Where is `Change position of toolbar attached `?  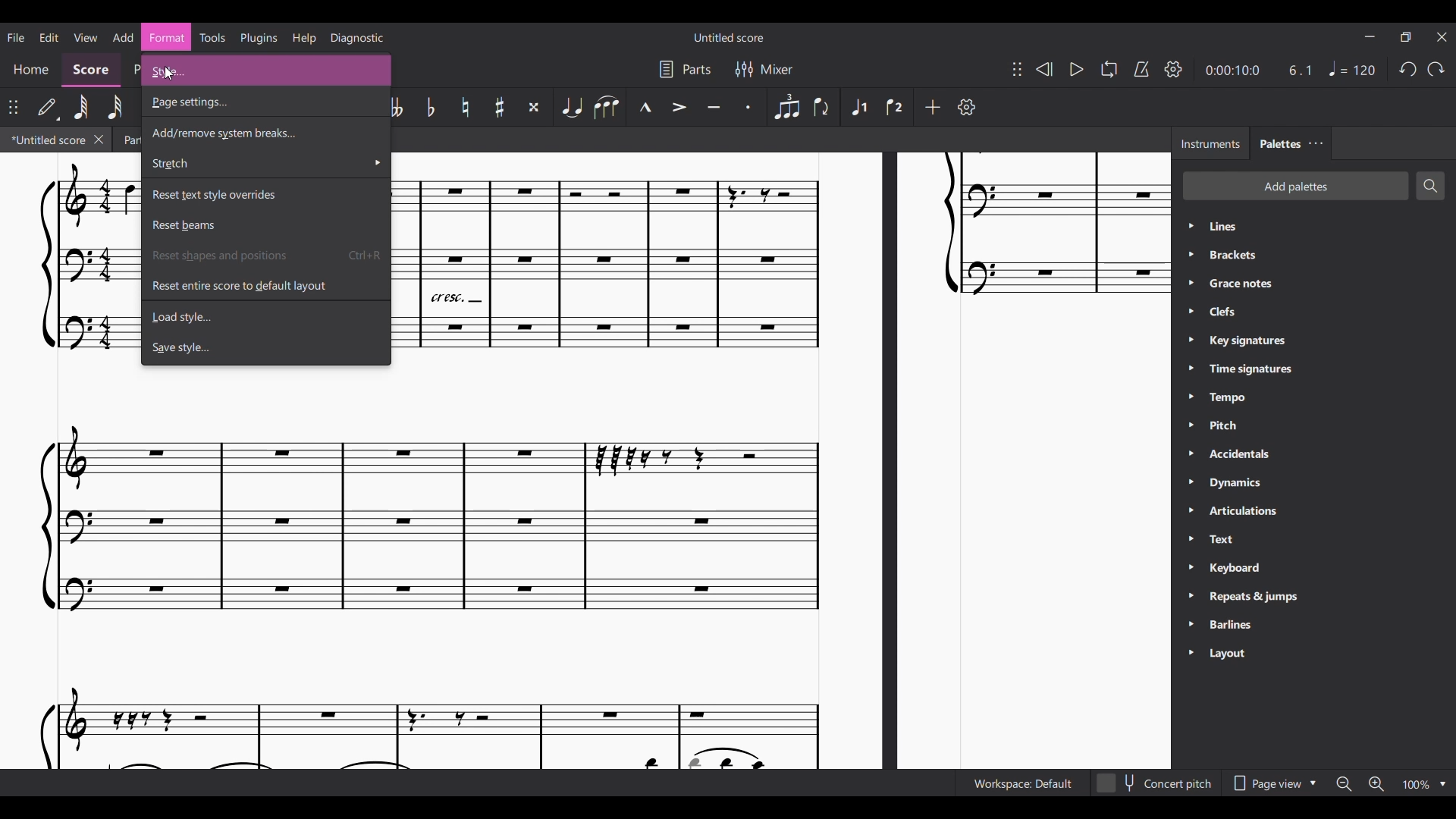
Change position of toolbar attached  is located at coordinates (14, 107).